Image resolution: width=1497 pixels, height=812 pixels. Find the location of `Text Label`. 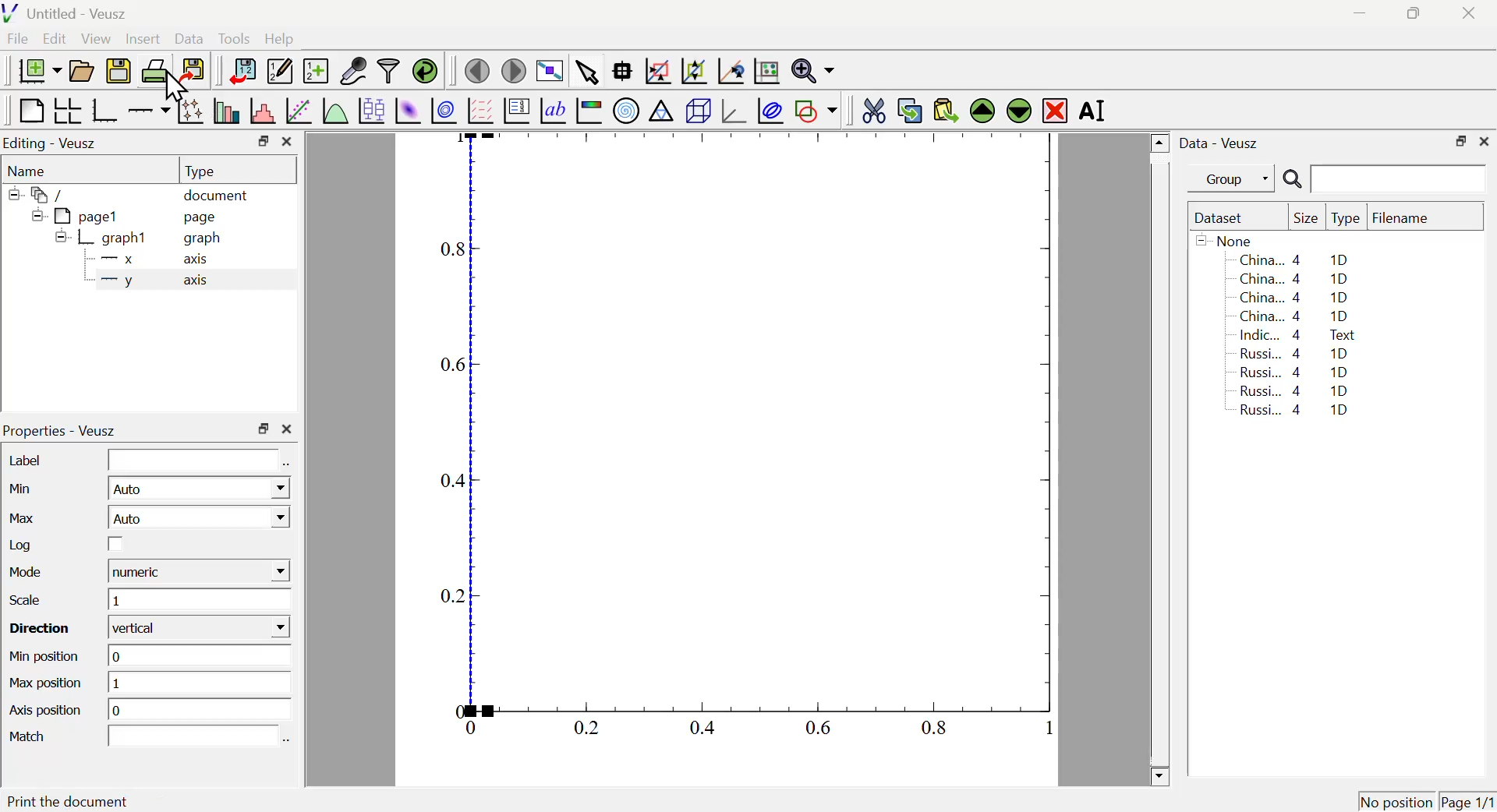

Text Label is located at coordinates (553, 111).